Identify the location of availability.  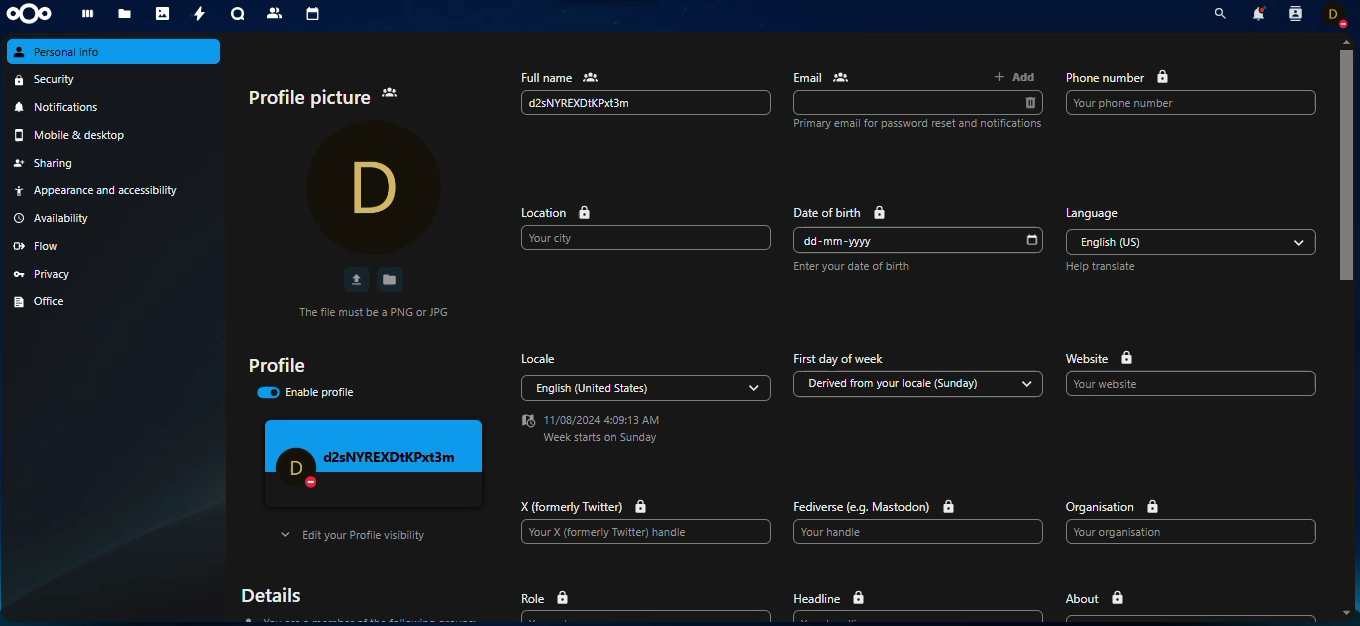
(113, 218).